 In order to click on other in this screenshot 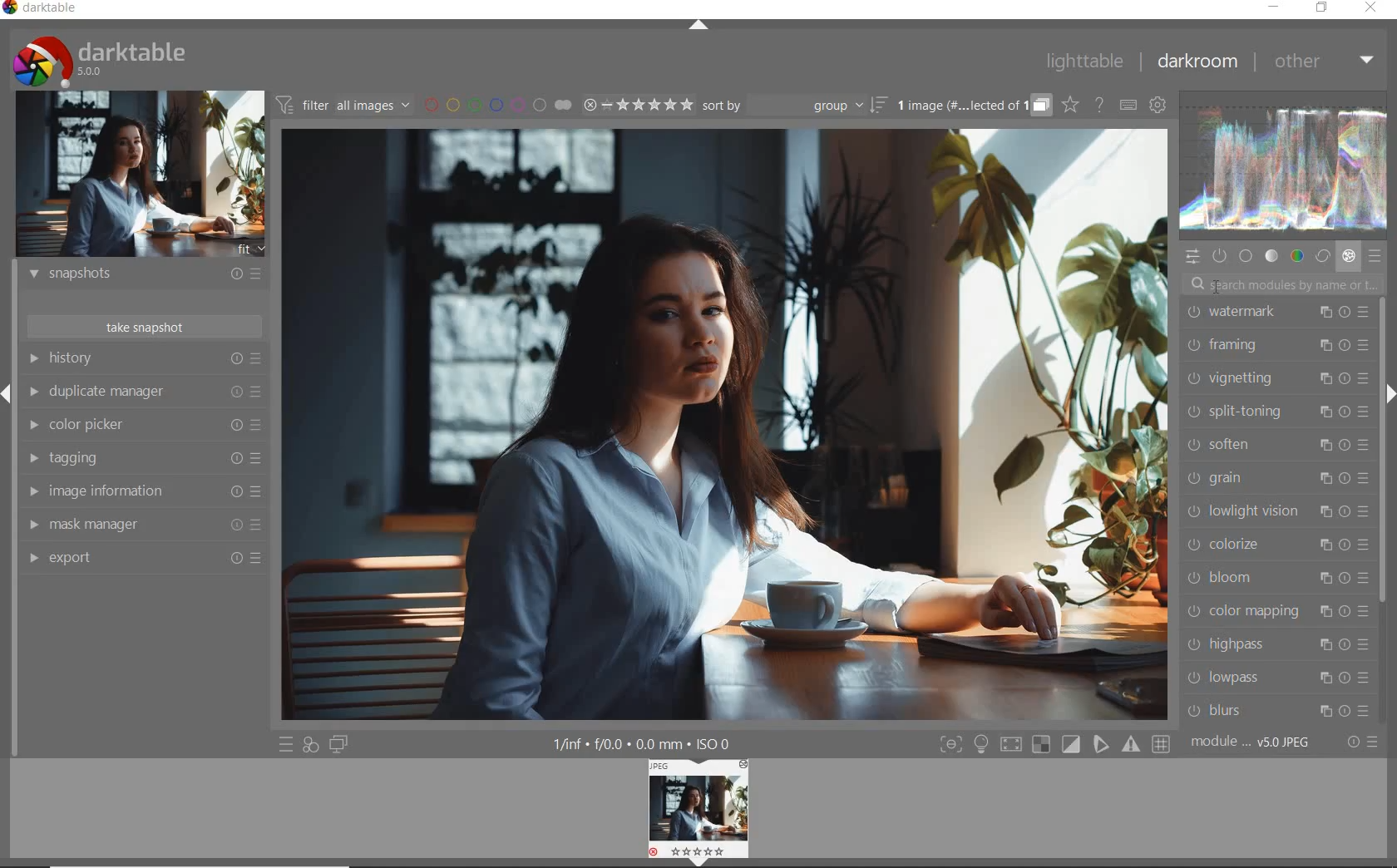, I will do `click(1325, 62)`.